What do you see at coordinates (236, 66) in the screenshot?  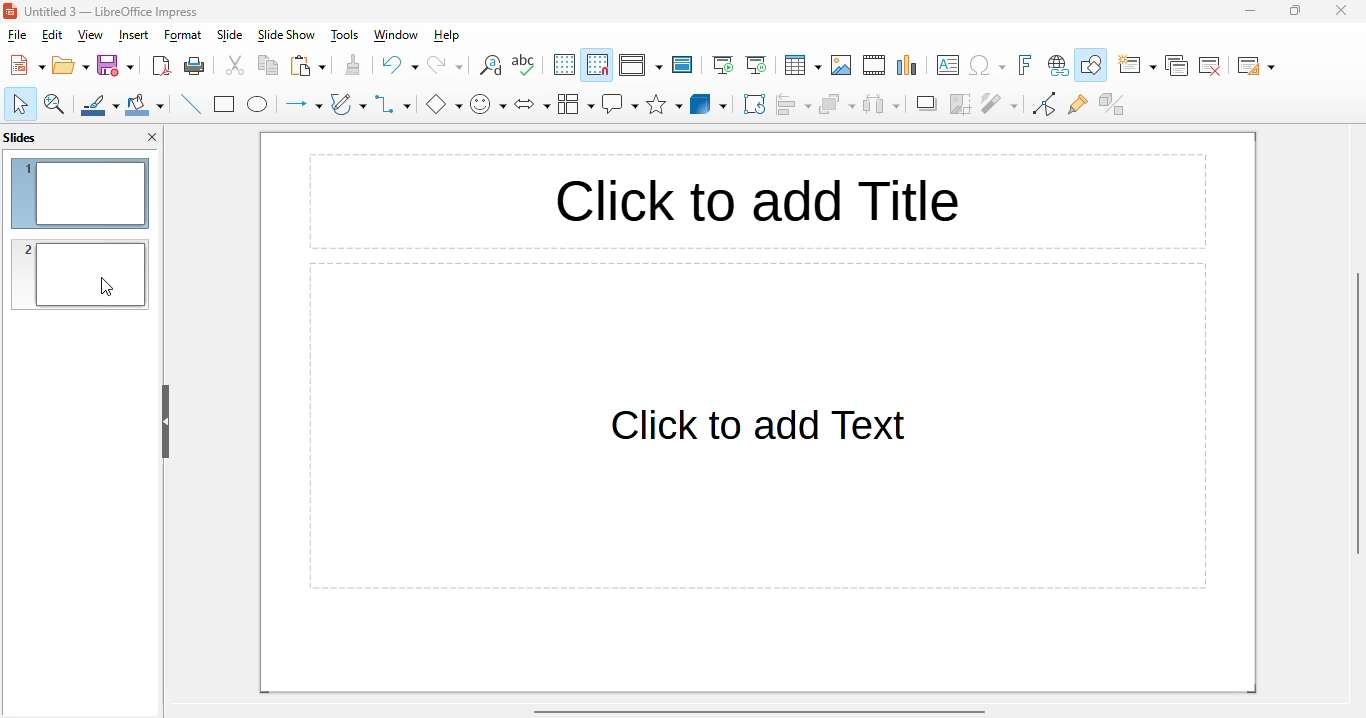 I see `cut` at bounding box center [236, 66].